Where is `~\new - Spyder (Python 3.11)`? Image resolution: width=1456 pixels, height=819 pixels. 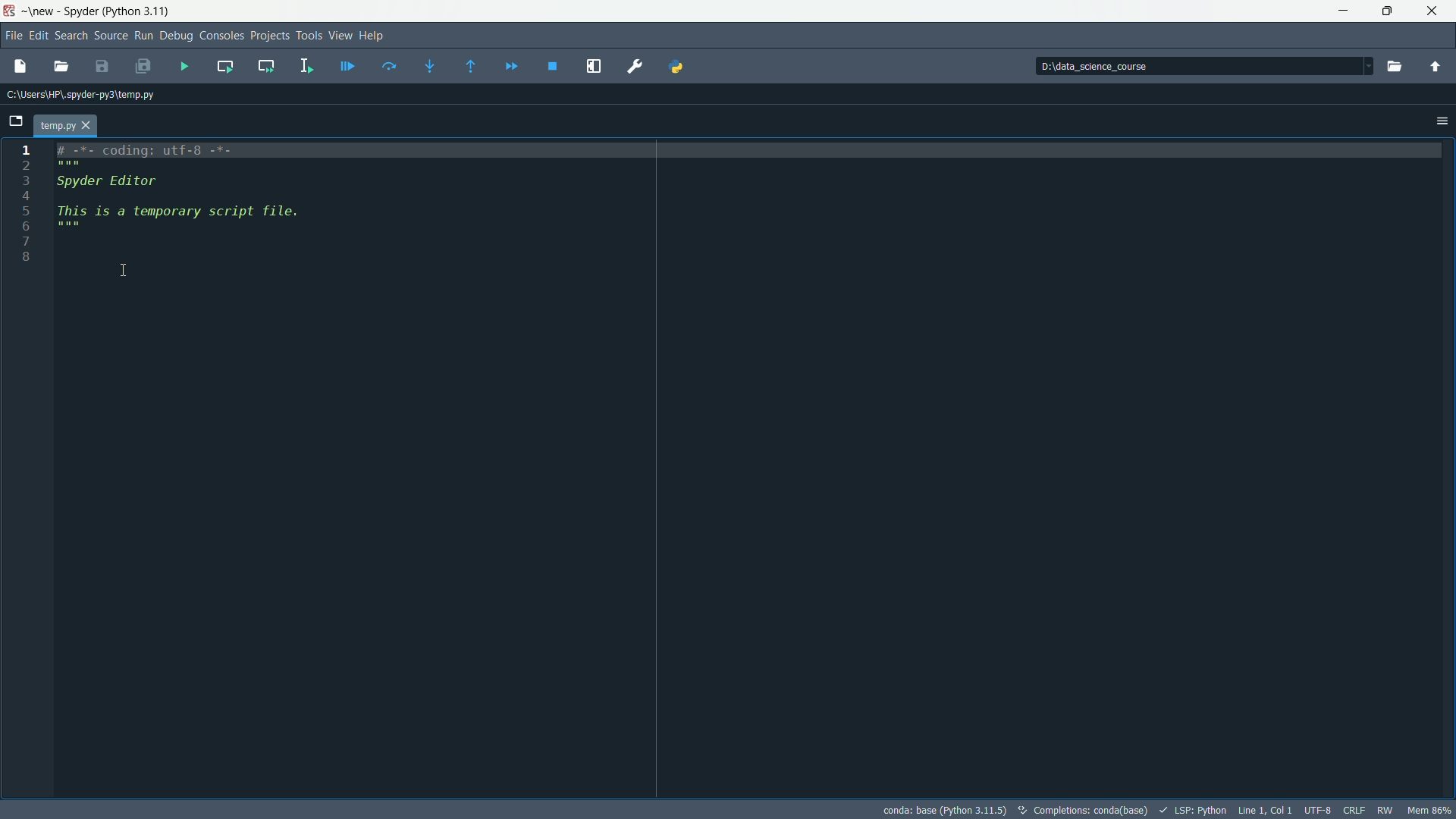 ~\new - Spyder (Python 3.11) is located at coordinates (89, 12).